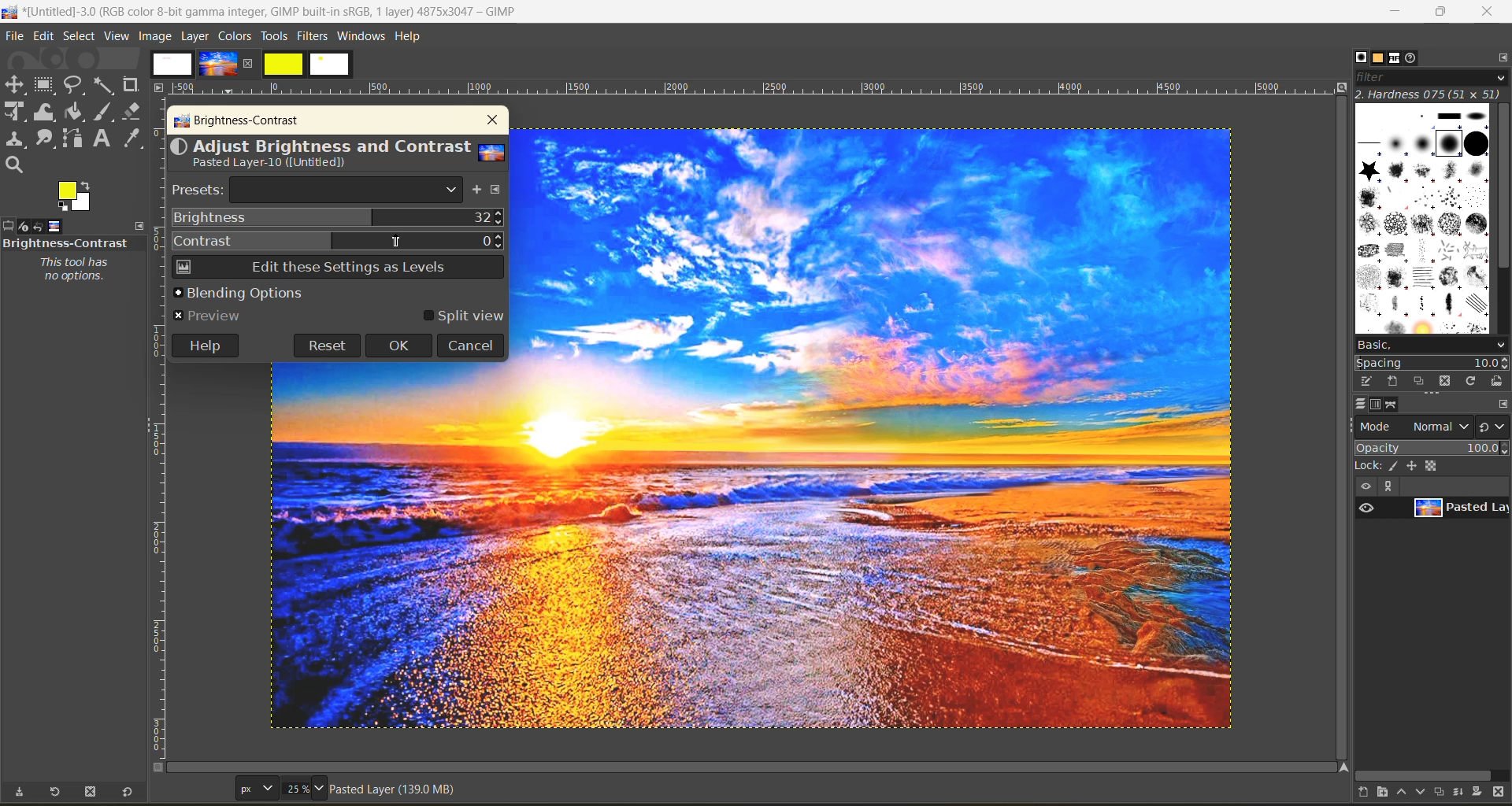 This screenshot has height=806, width=1512. What do you see at coordinates (283, 788) in the screenshot?
I see `size` at bounding box center [283, 788].